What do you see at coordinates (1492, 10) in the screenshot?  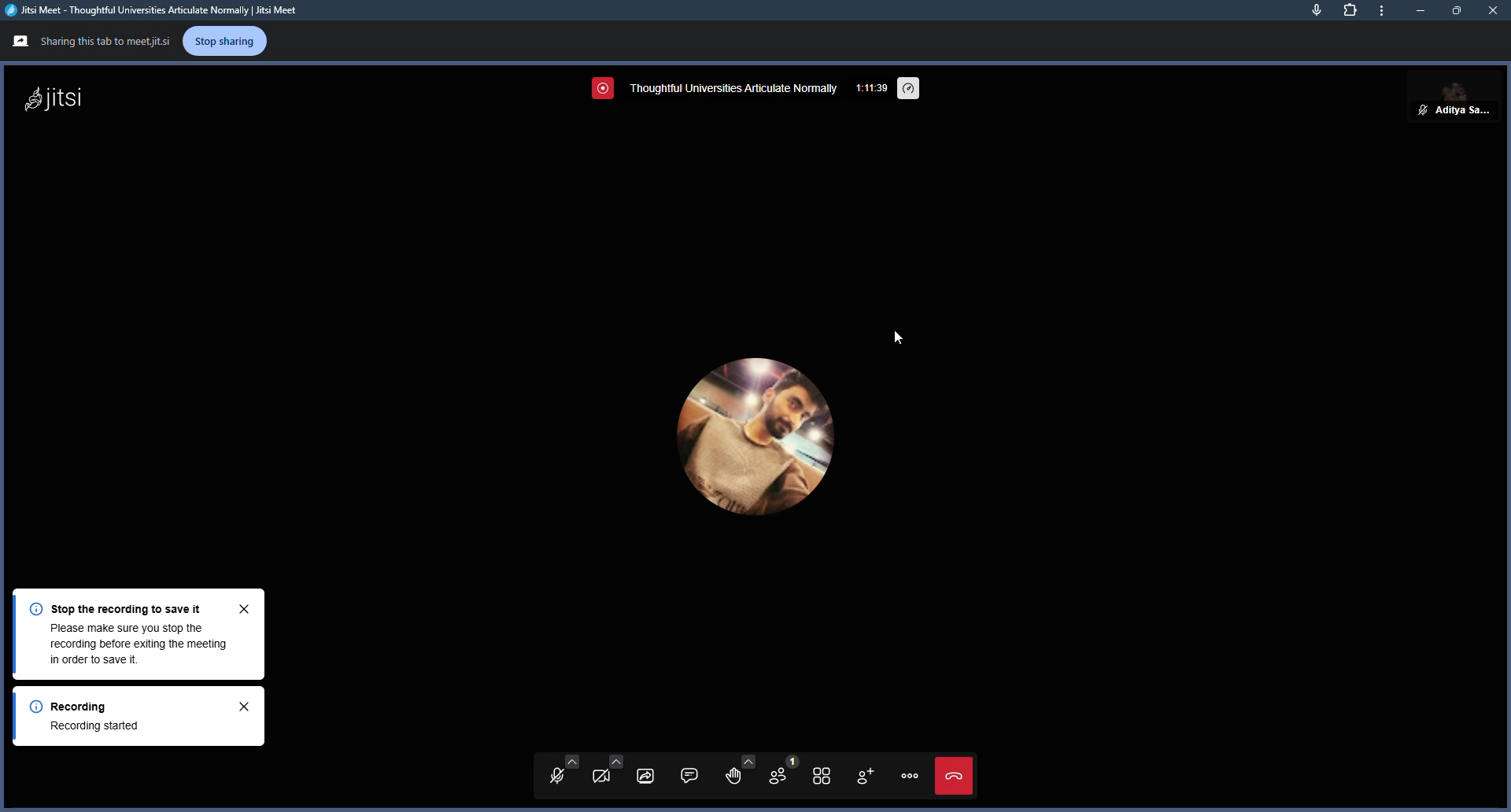 I see `close` at bounding box center [1492, 10].